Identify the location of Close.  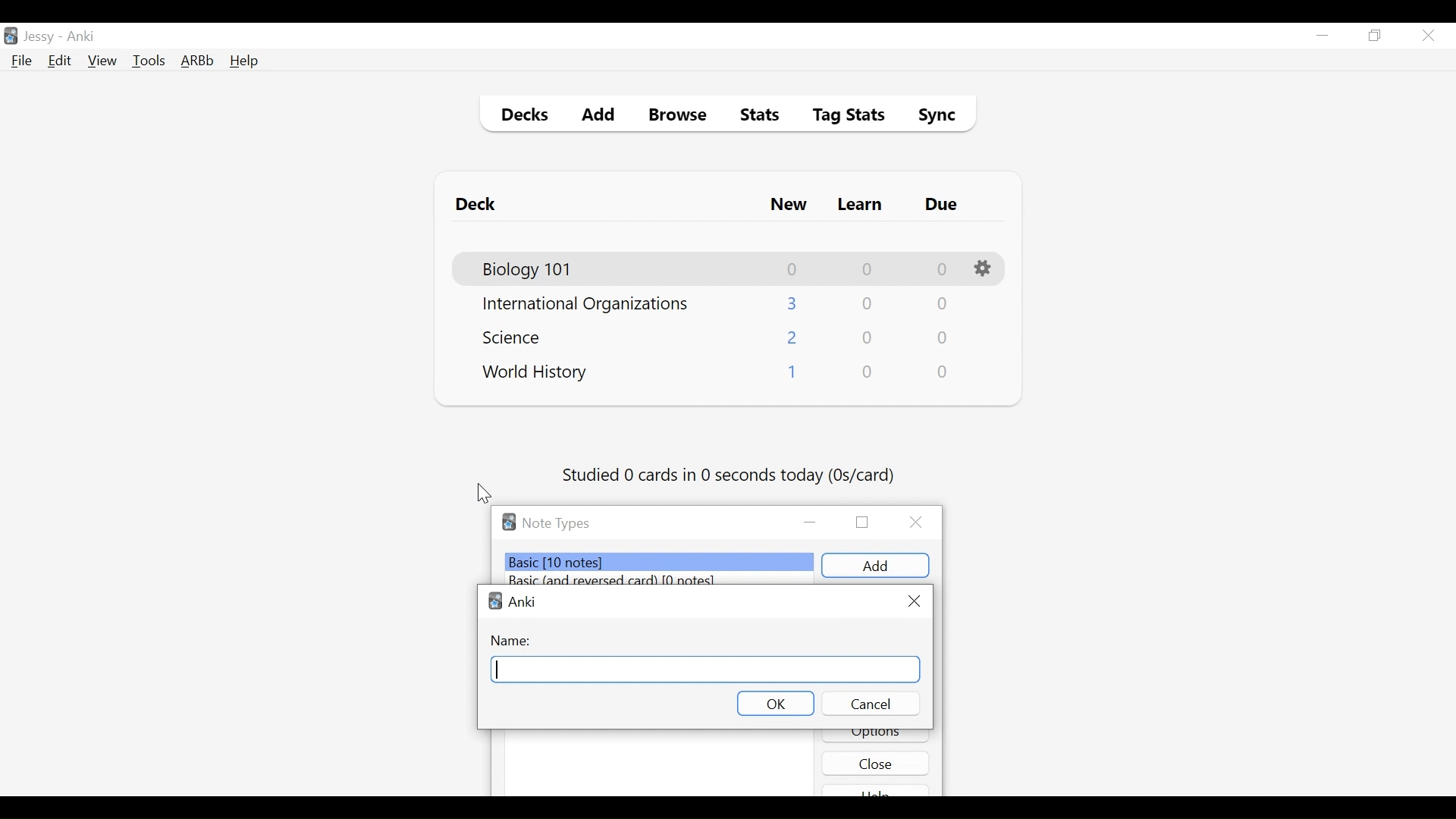
(913, 601).